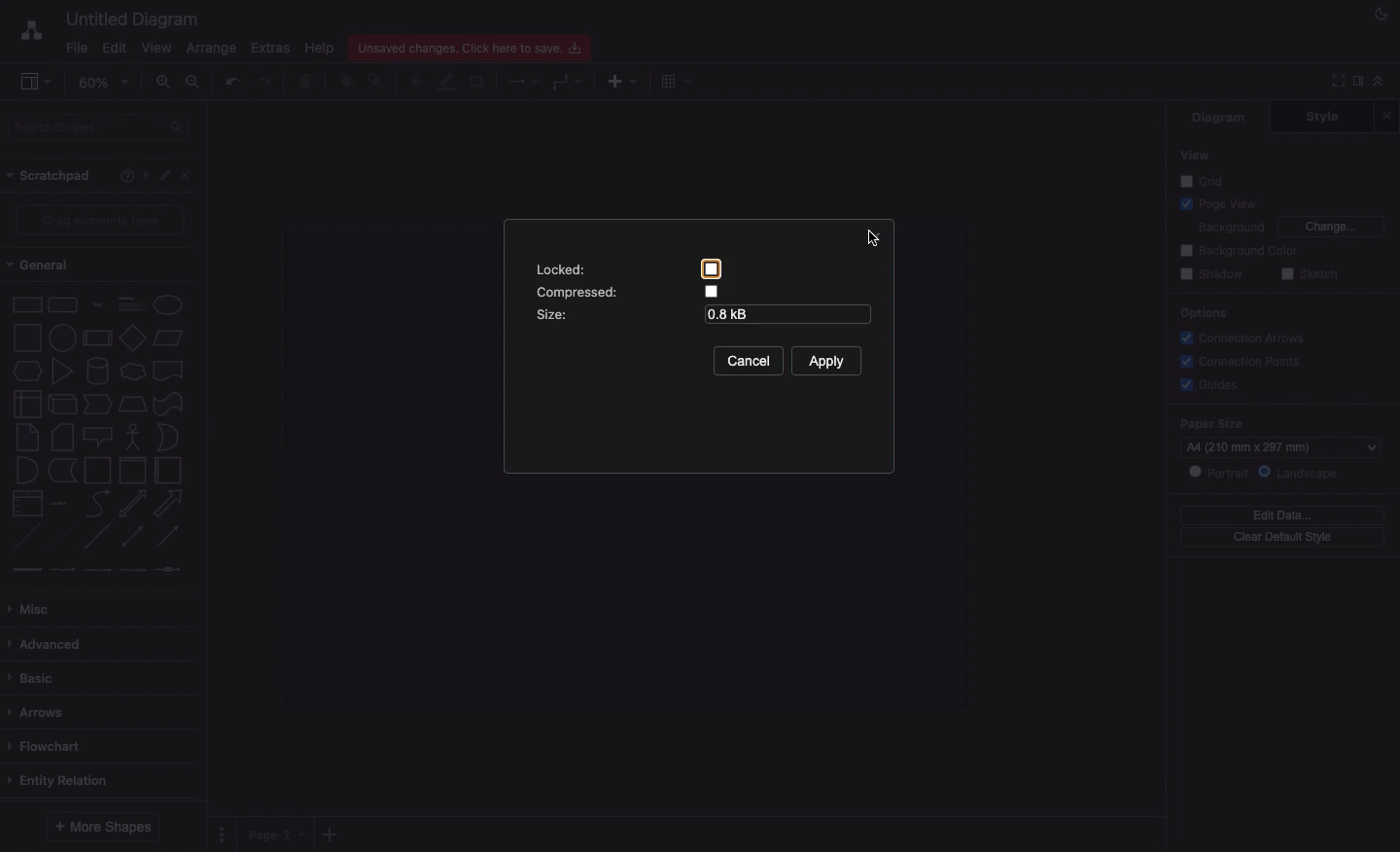 This screenshot has width=1400, height=852. I want to click on Extras, so click(273, 49).